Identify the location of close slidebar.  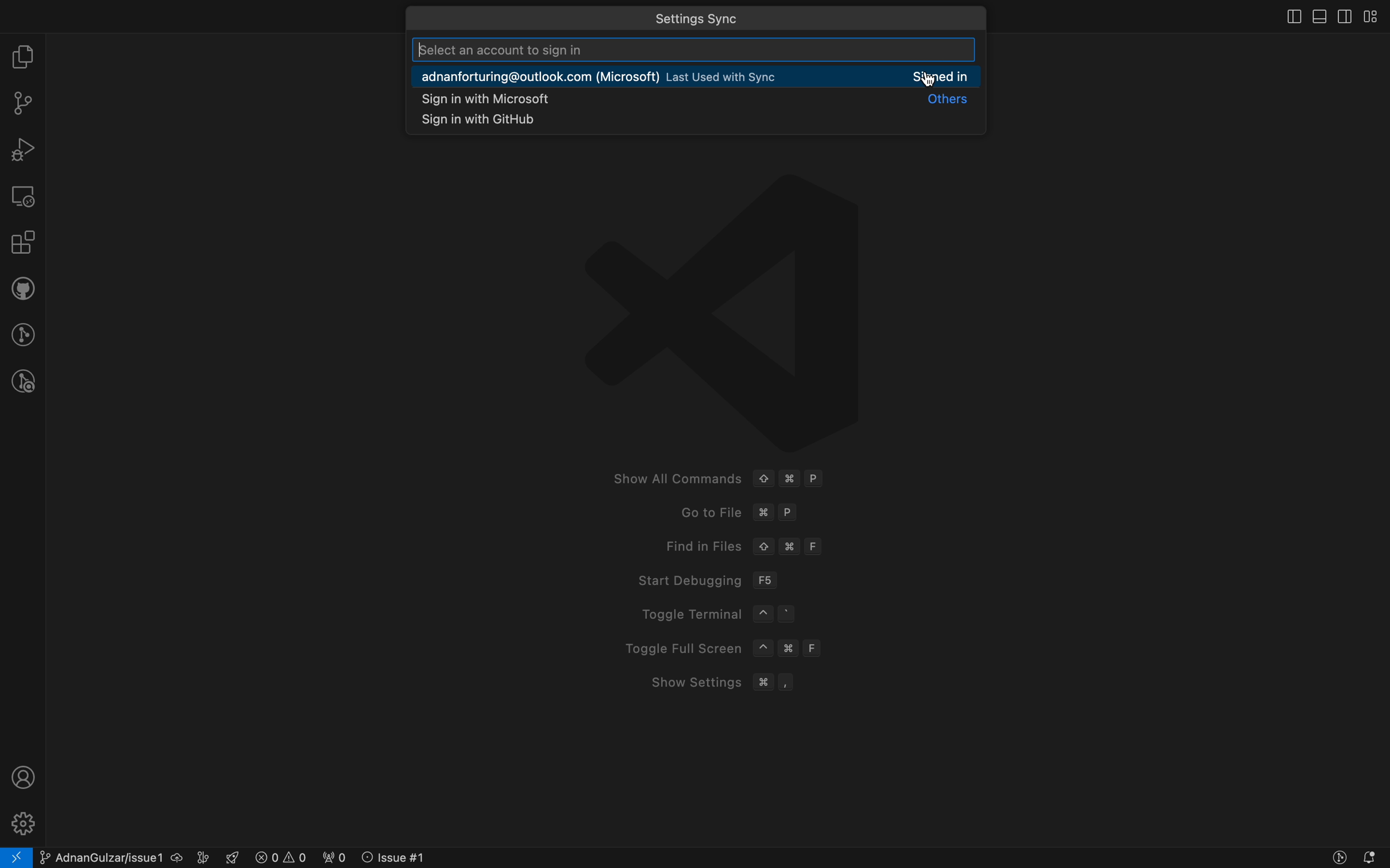
(1286, 18).